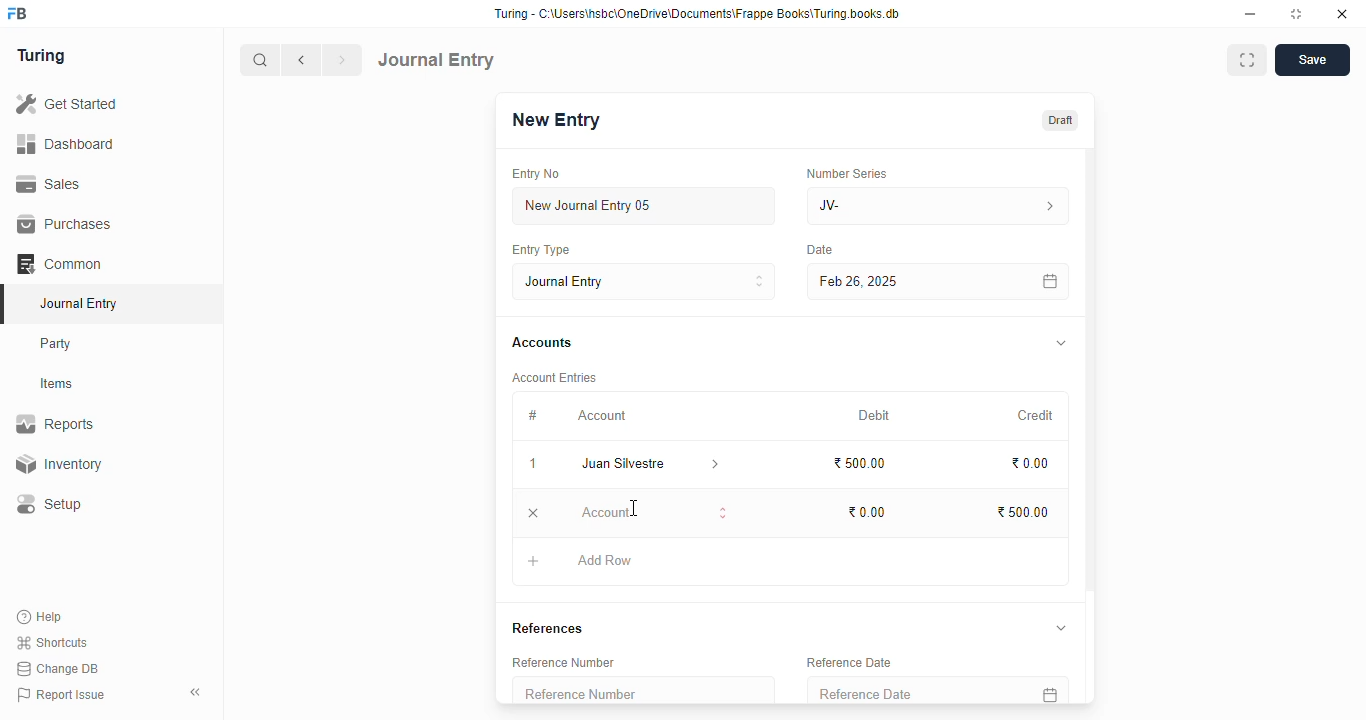 The width and height of the screenshot is (1366, 720). I want to click on account, so click(655, 514).